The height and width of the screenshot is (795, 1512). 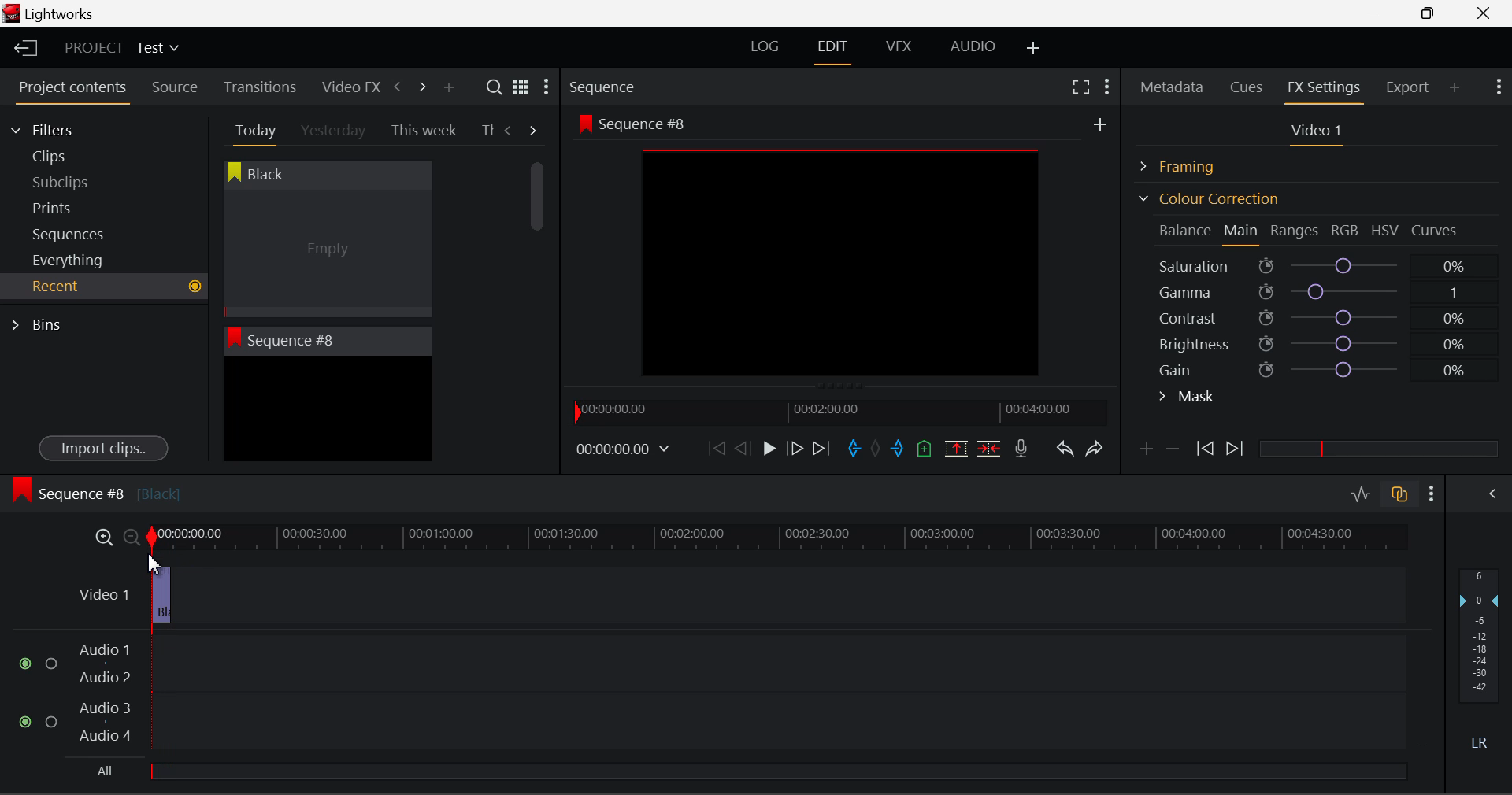 I want to click on Export Panel, so click(x=1410, y=87).